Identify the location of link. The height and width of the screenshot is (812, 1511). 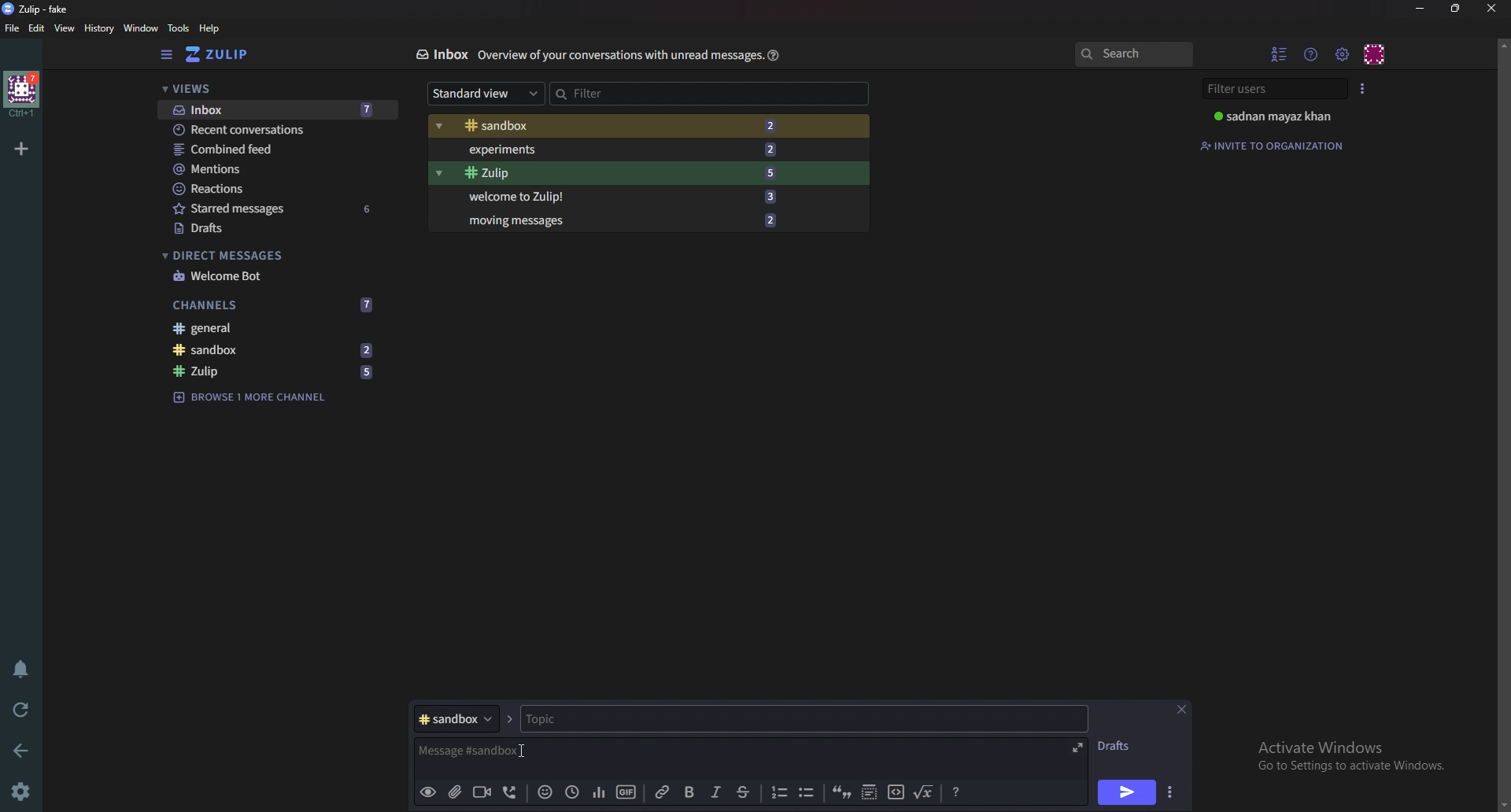
(663, 792).